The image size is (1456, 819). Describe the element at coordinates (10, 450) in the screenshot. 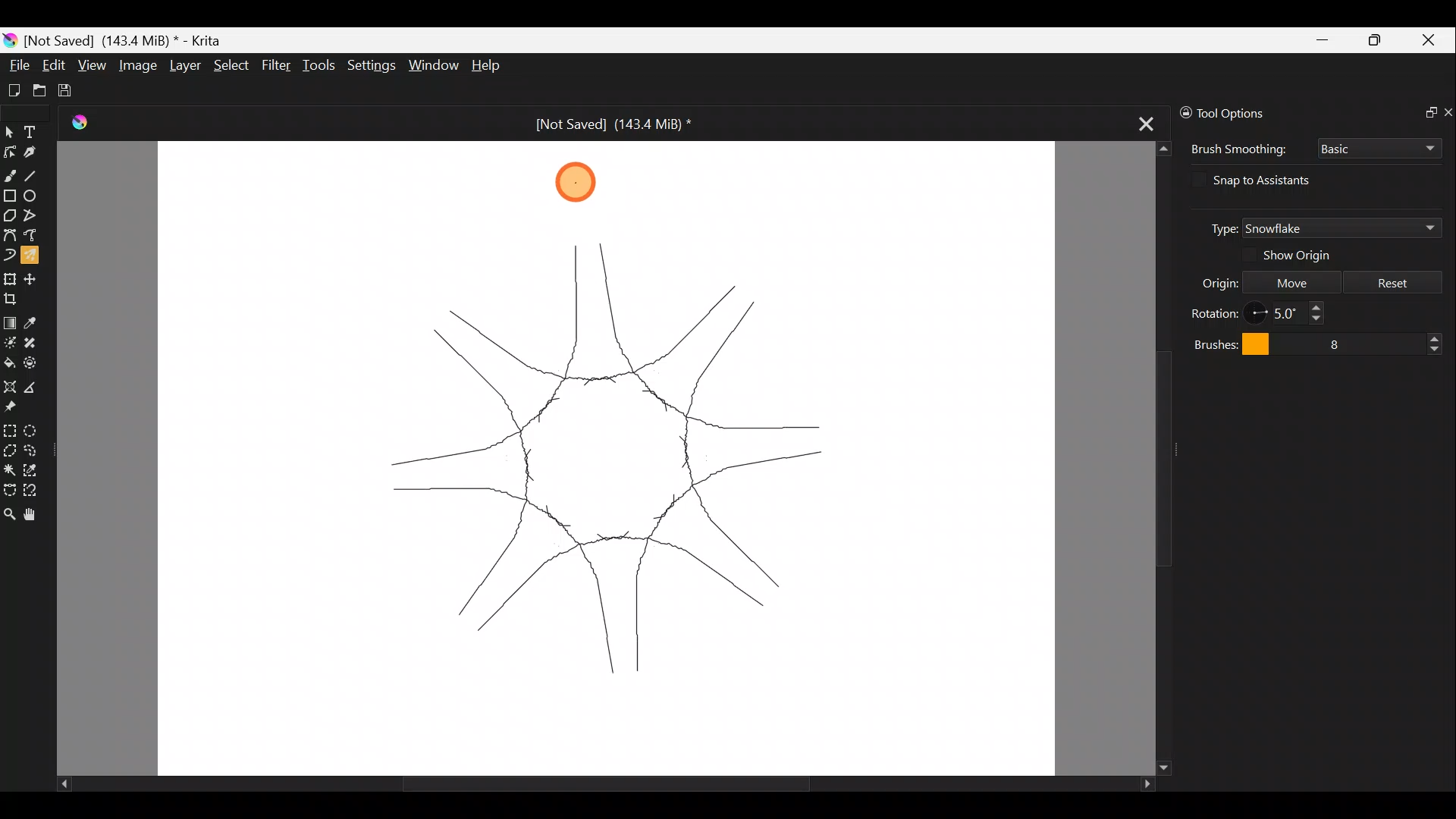

I see `Polygonal selection tool` at that location.